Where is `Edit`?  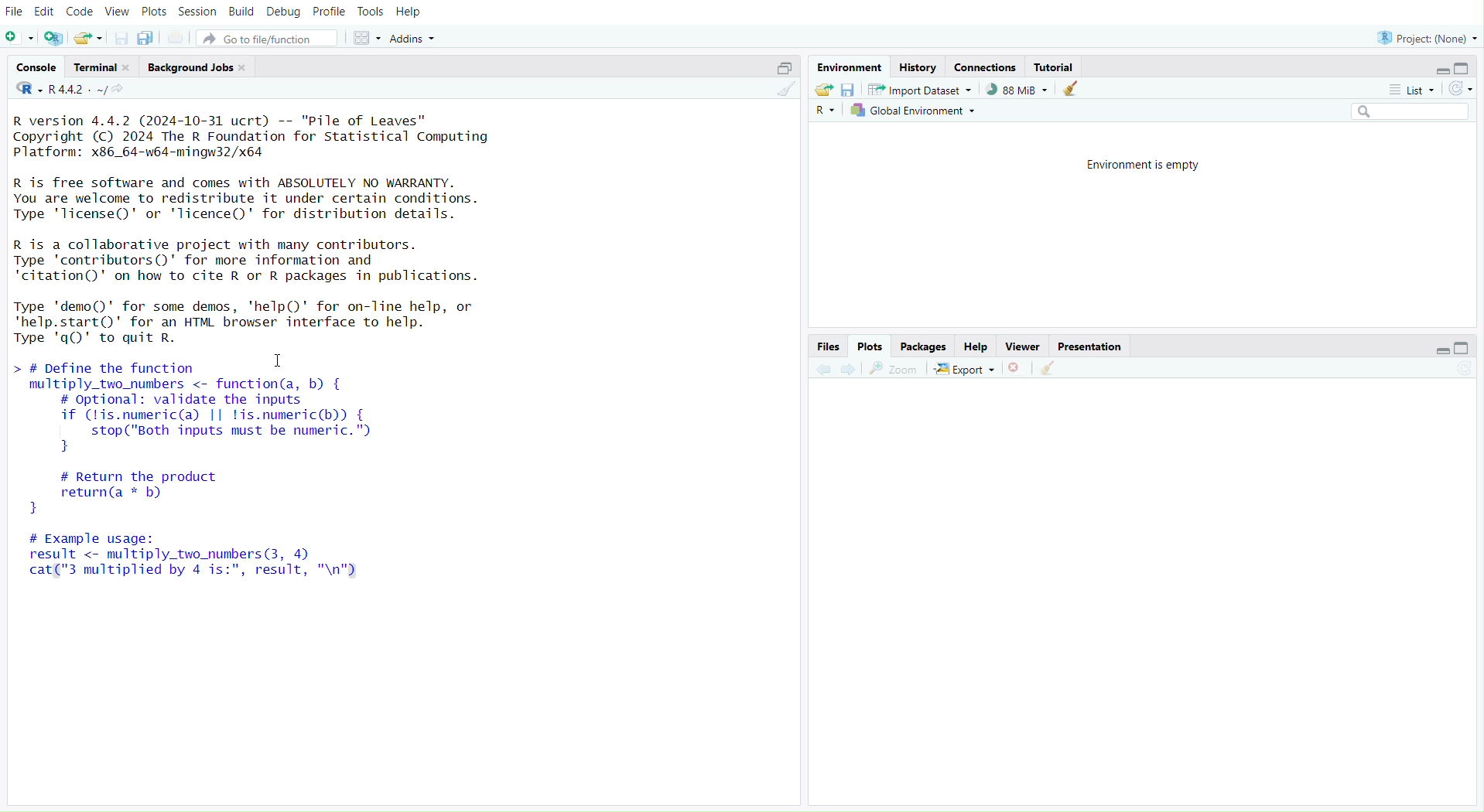
Edit is located at coordinates (44, 10).